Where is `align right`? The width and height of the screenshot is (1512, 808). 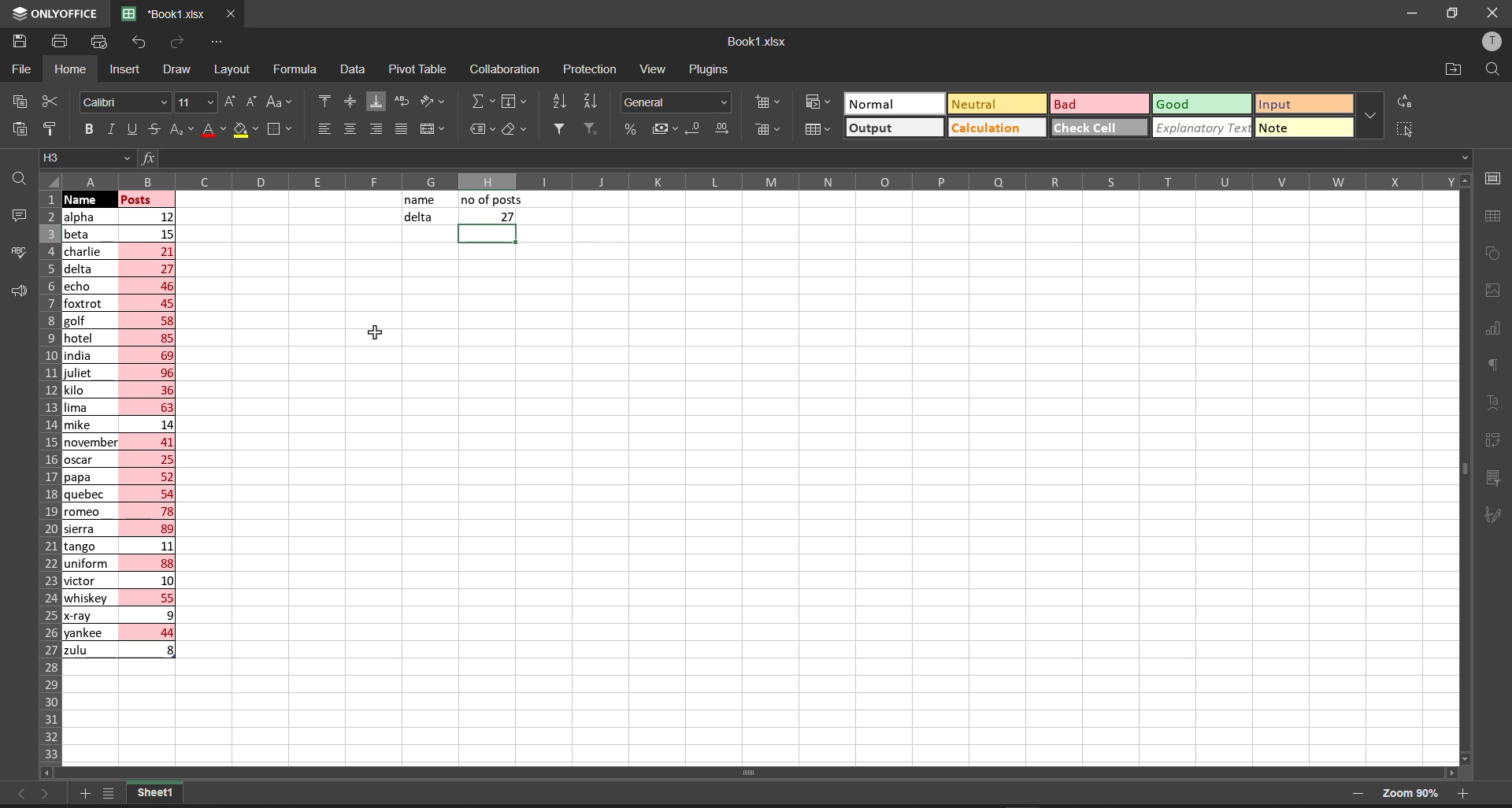 align right is located at coordinates (372, 128).